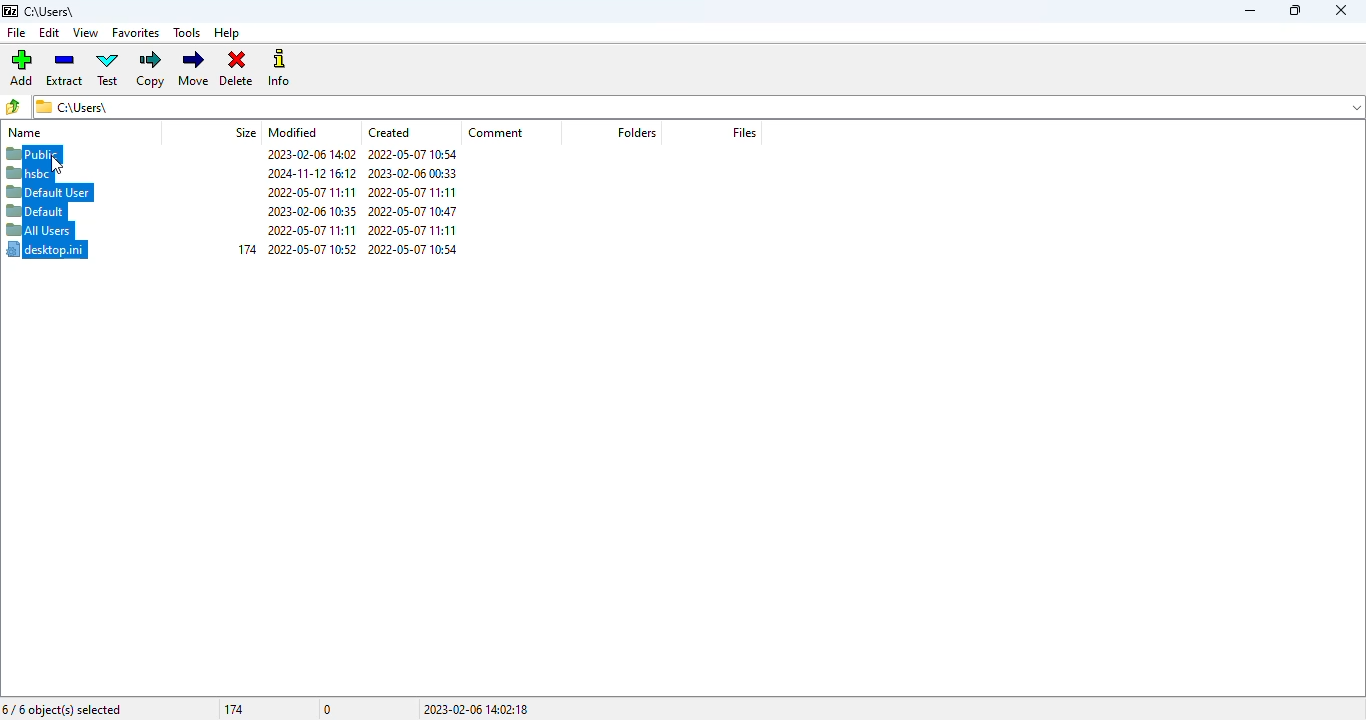 This screenshot has width=1366, height=720. Describe the element at coordinates (195, 68) in the screenshot. I see `move` at that location.